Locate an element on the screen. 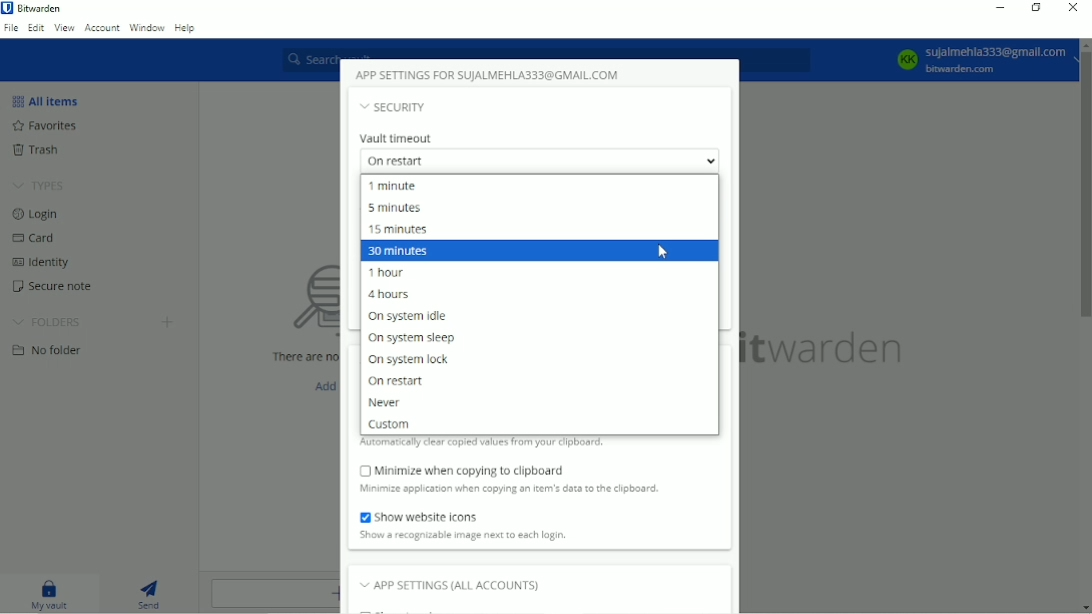 Image resolution: width=1092 pixels, height=614 pixels. KK  is located at coordinates (907, 59).